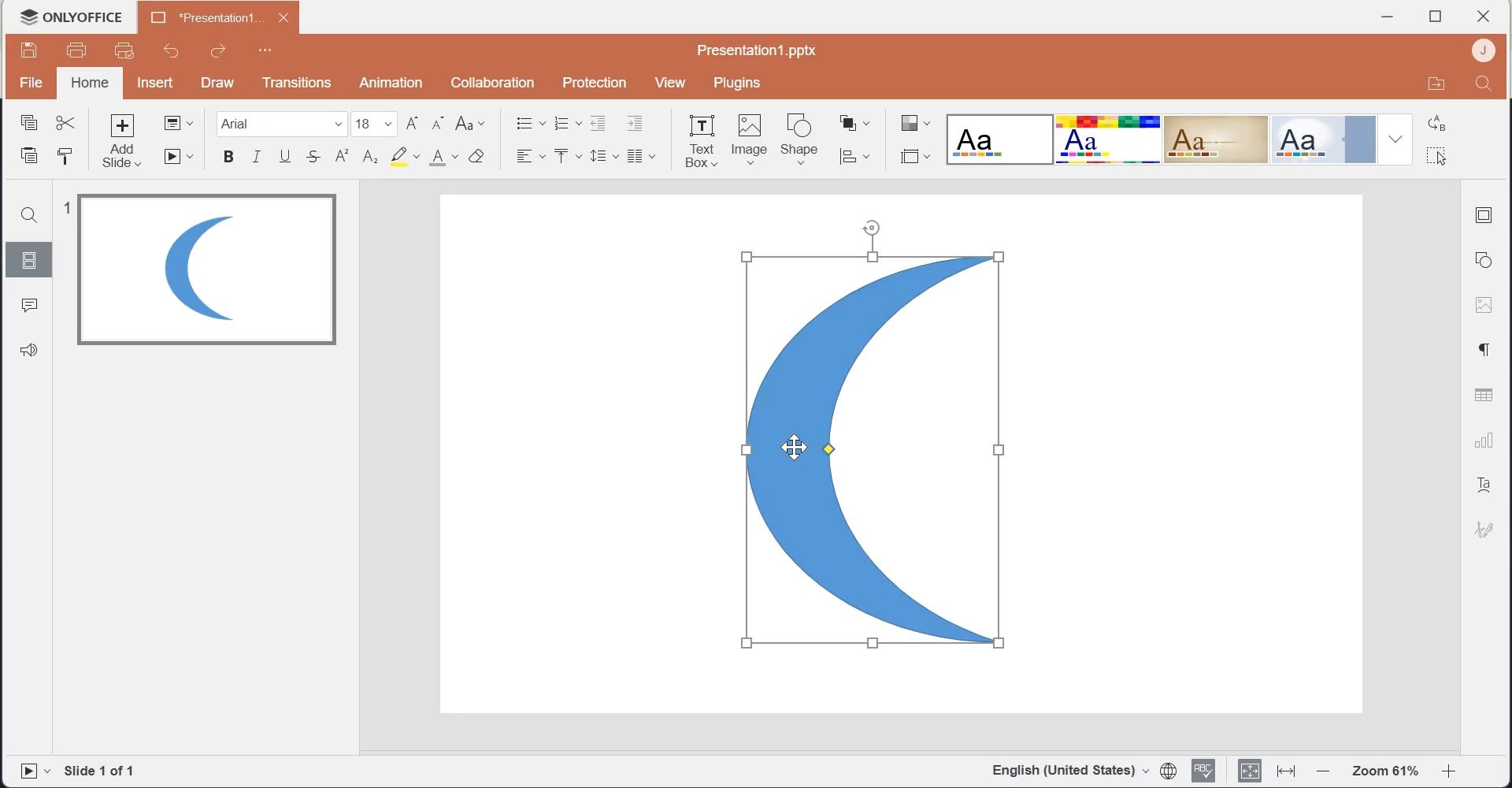  What do you see at coordinates (1170, 770) in the screenshot?
I see `Set document language` at bounding box center [1170, 770].